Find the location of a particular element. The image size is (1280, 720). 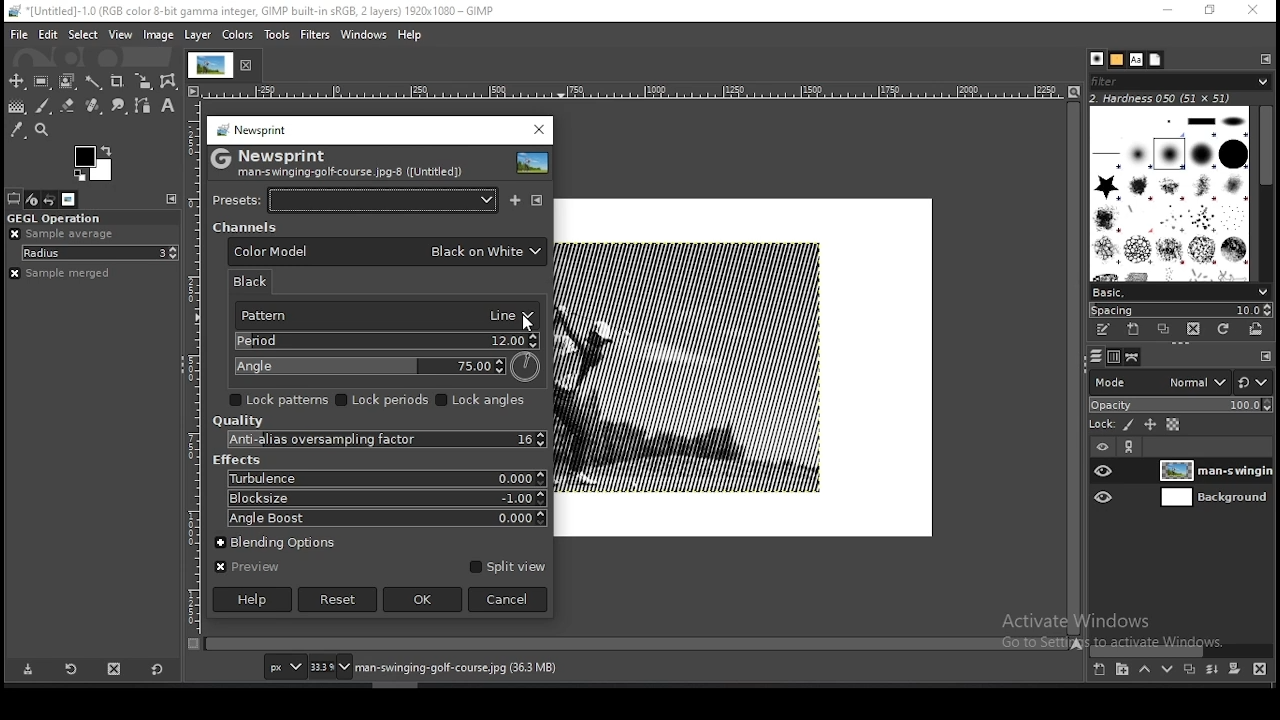

healing tool is located at coordinates (93, 106).